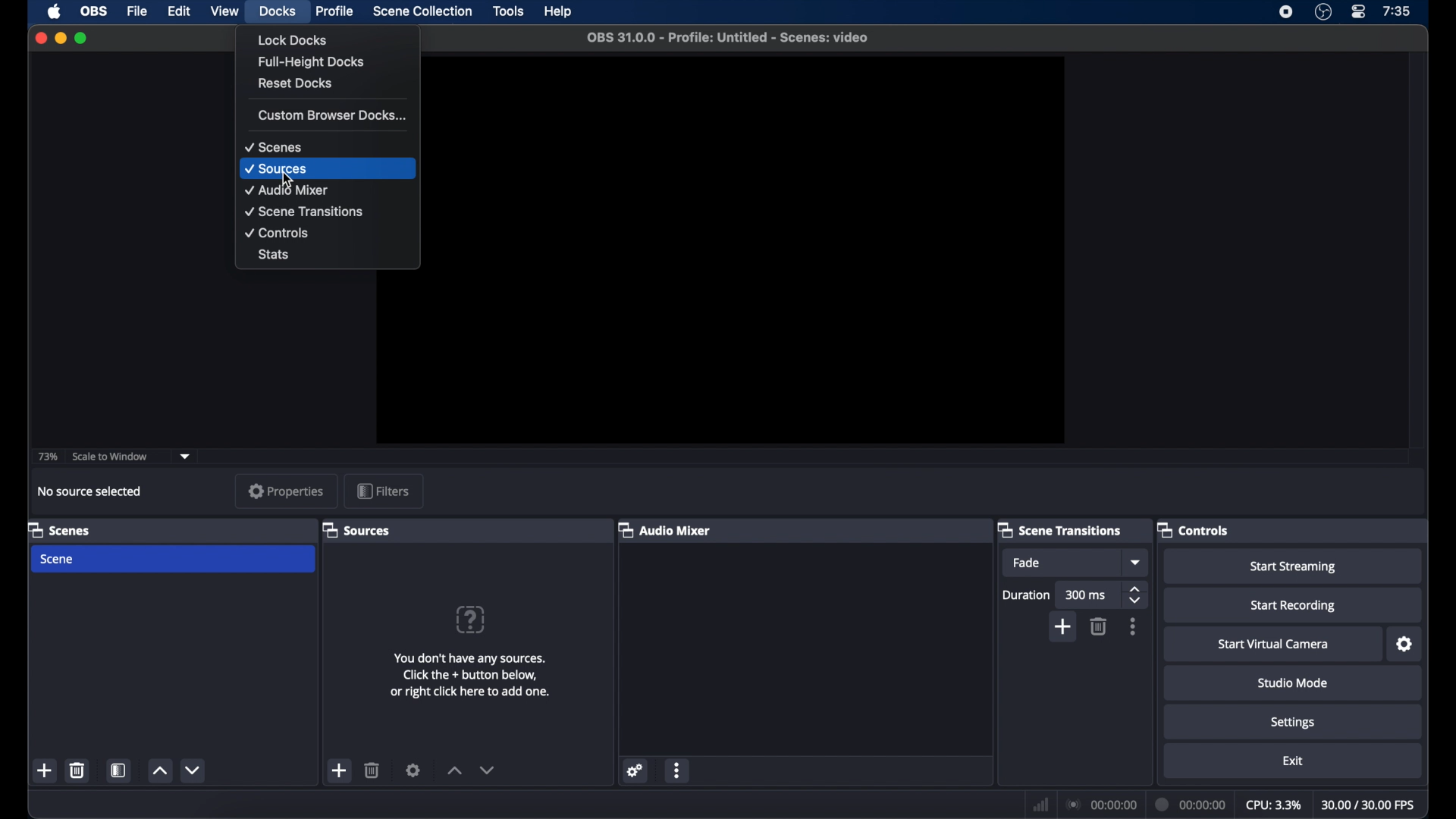 This screenshot has height=819, width=1456. I want to click on settings, so click(414, 770).